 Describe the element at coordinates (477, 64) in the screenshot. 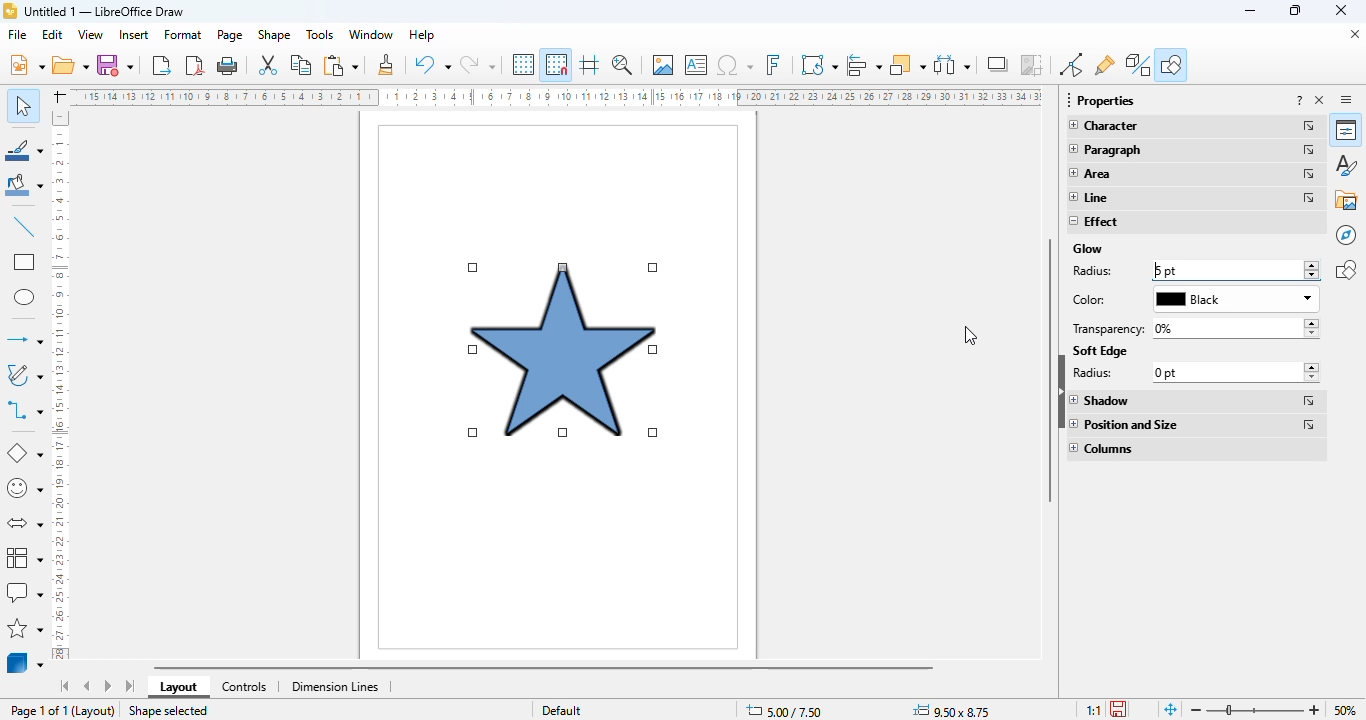

I see `redo` at that location.